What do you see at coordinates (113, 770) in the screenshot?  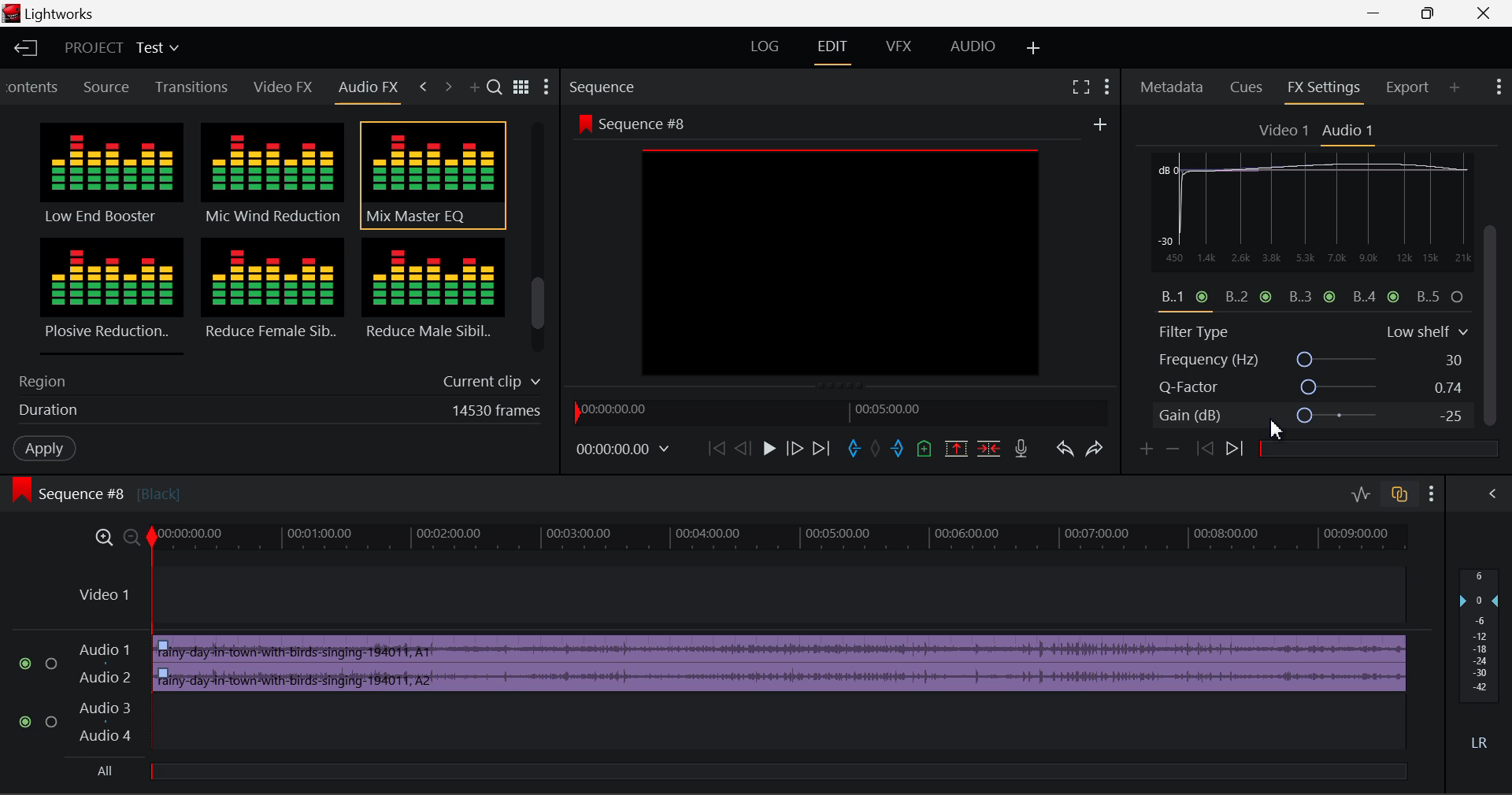 I see `All` at bounding box center [113, 770].